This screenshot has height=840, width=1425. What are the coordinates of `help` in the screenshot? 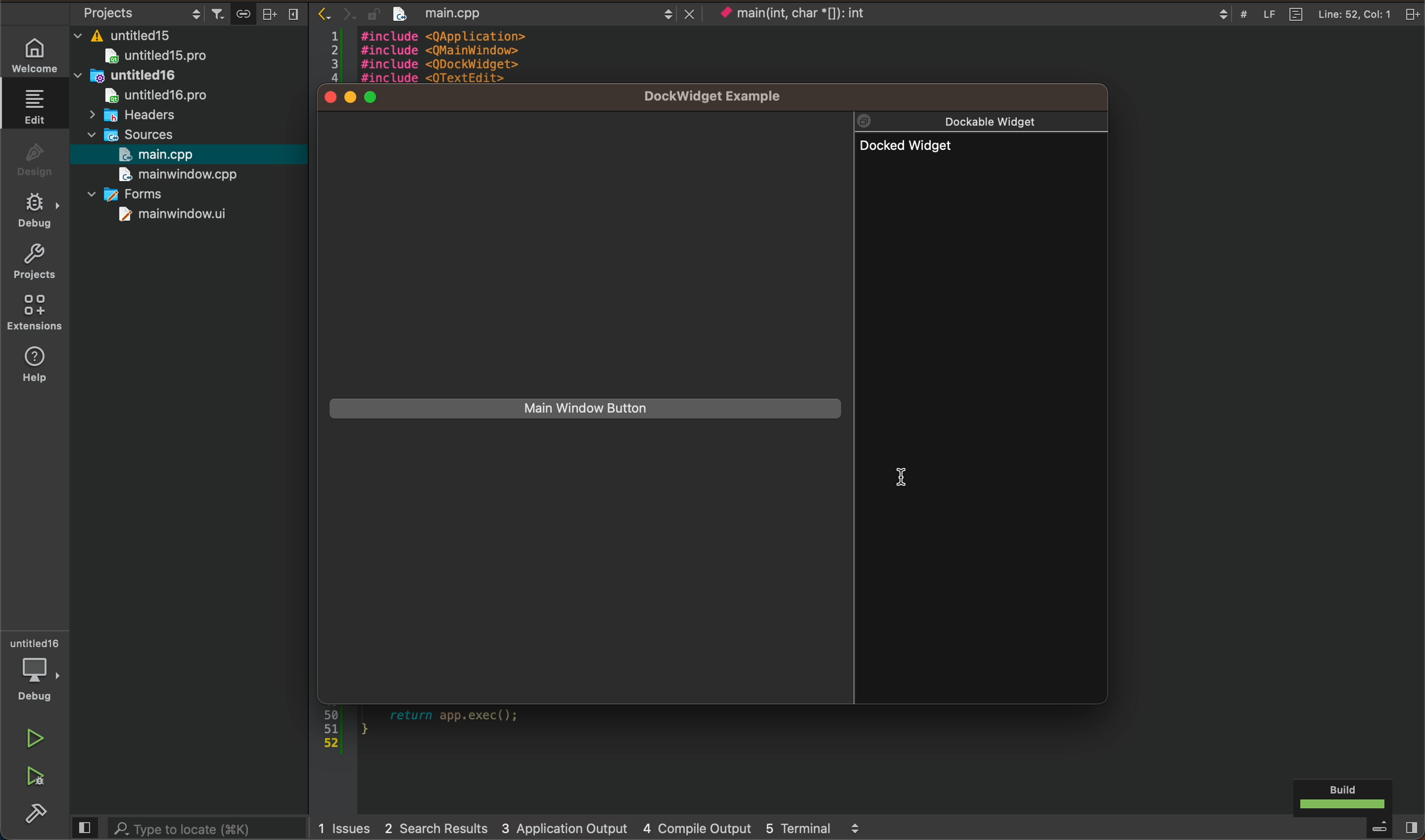 It's located at (33, 369).